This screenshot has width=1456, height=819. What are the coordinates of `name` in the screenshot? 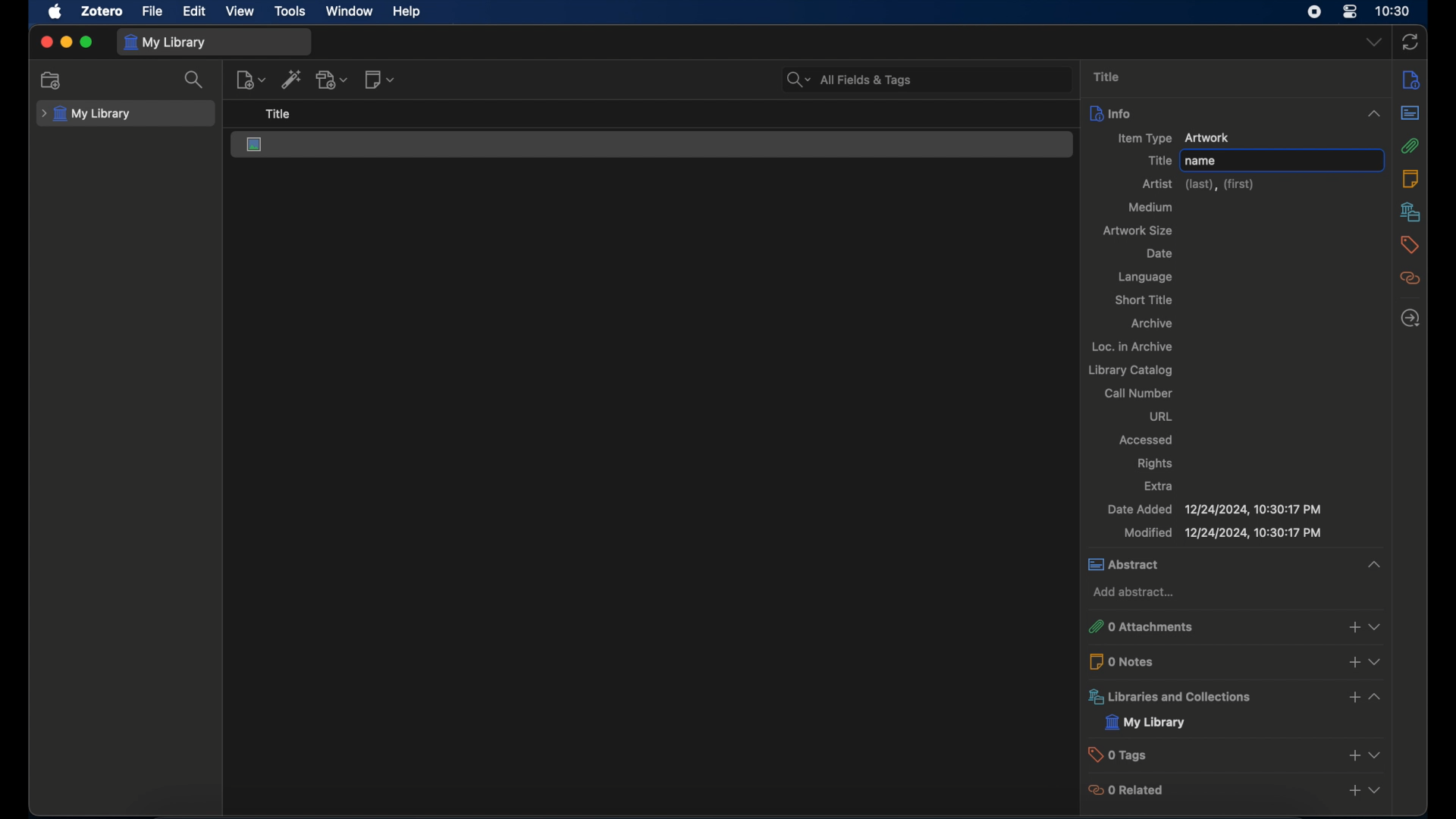 It's located at (1202, 161).